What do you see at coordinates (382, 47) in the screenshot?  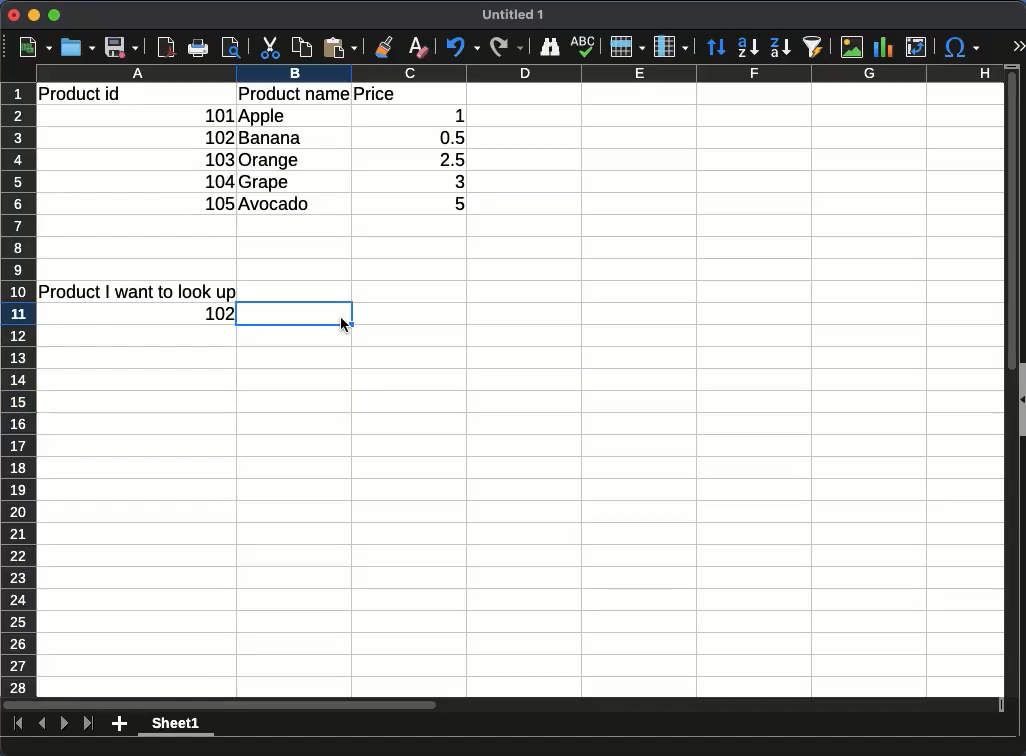 I see `clone formatting` at bounding box center [382, 47].